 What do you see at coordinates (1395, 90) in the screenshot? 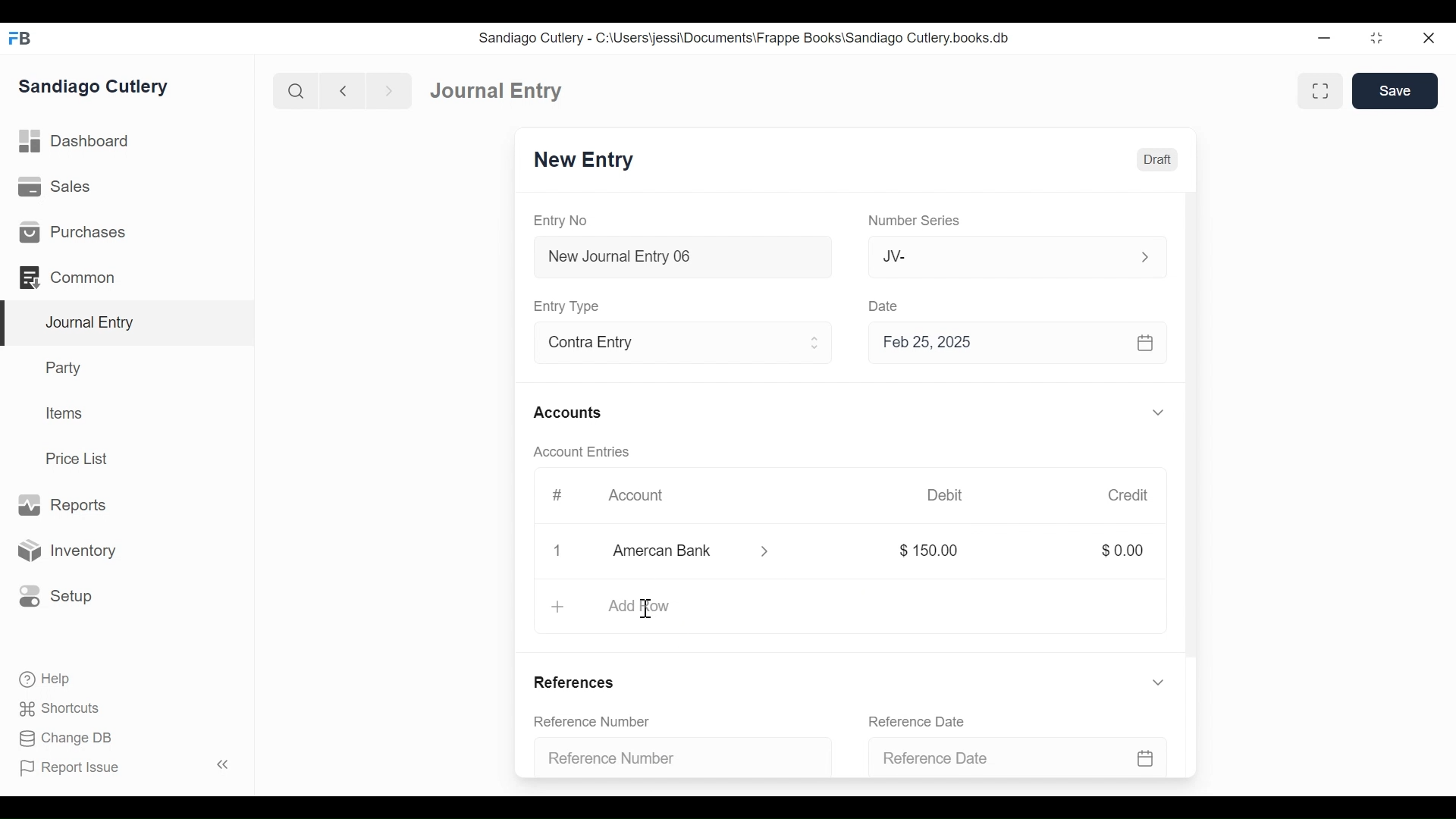
I see `Save` at bounding box center [1395, 90].